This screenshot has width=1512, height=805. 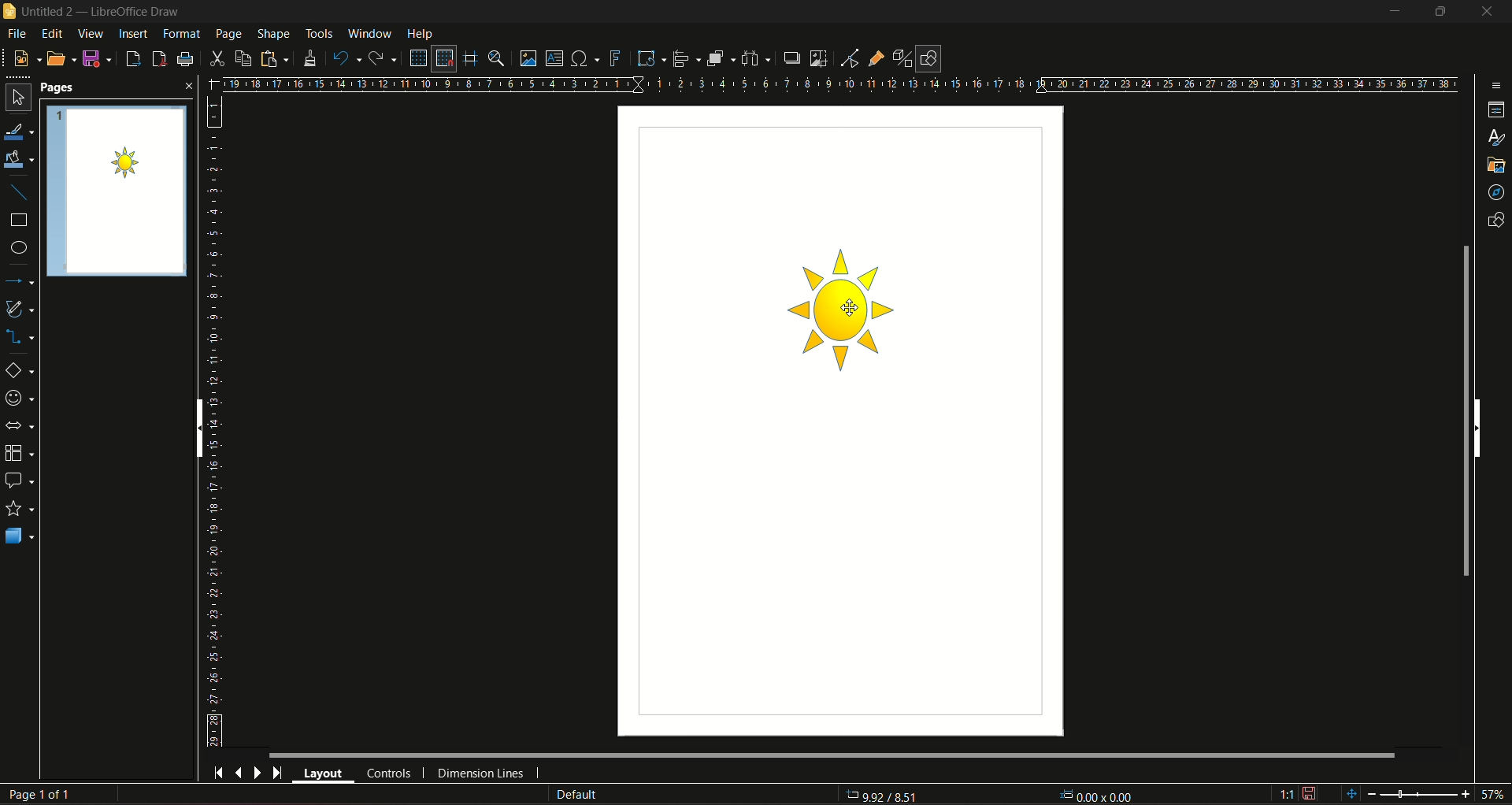 What do you see at coordinates (877, 57) in the screenshot?
I see `show gluepoint` at bounding box center [877, 57].